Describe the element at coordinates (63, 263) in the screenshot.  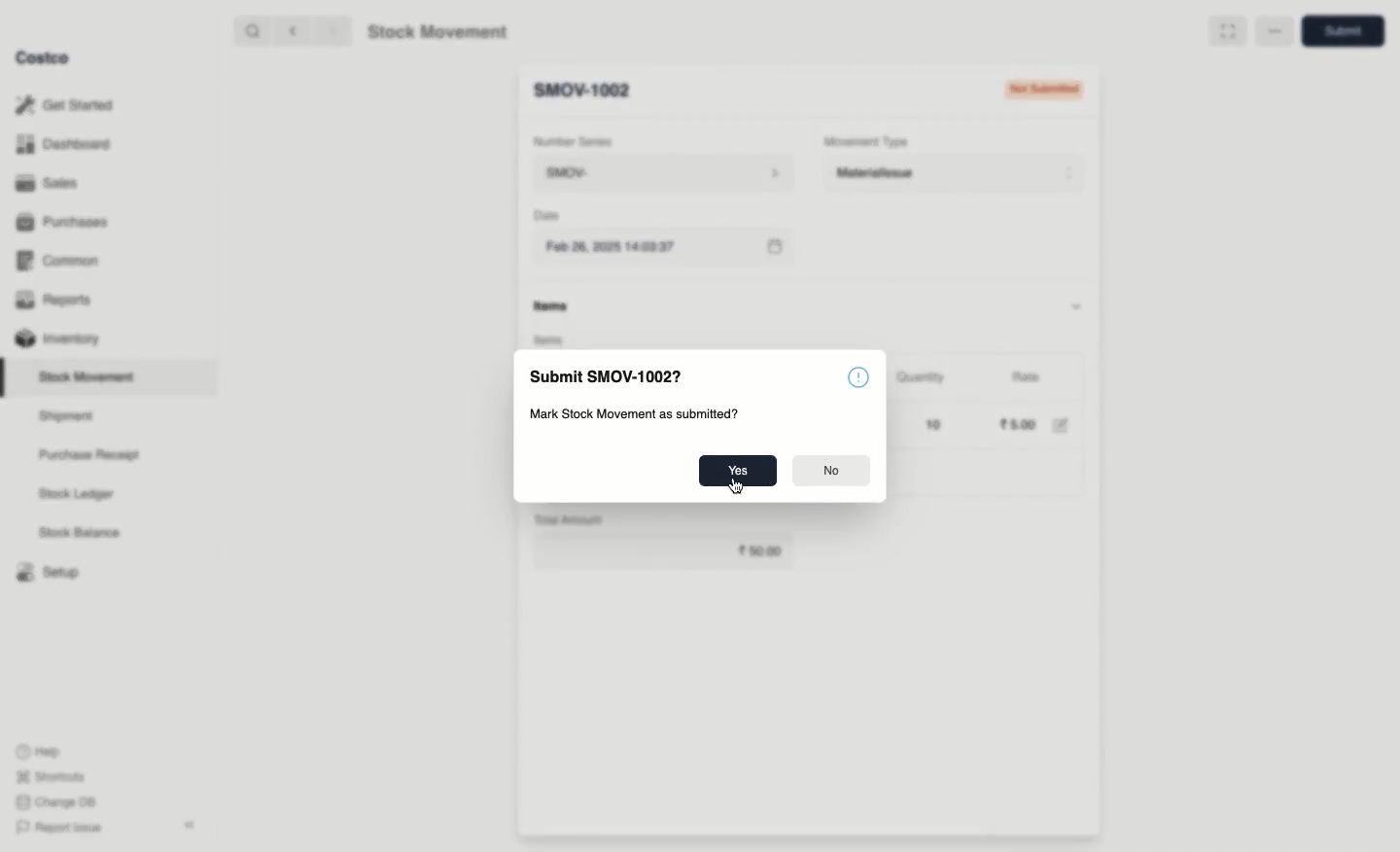
I see `Common` at that location.